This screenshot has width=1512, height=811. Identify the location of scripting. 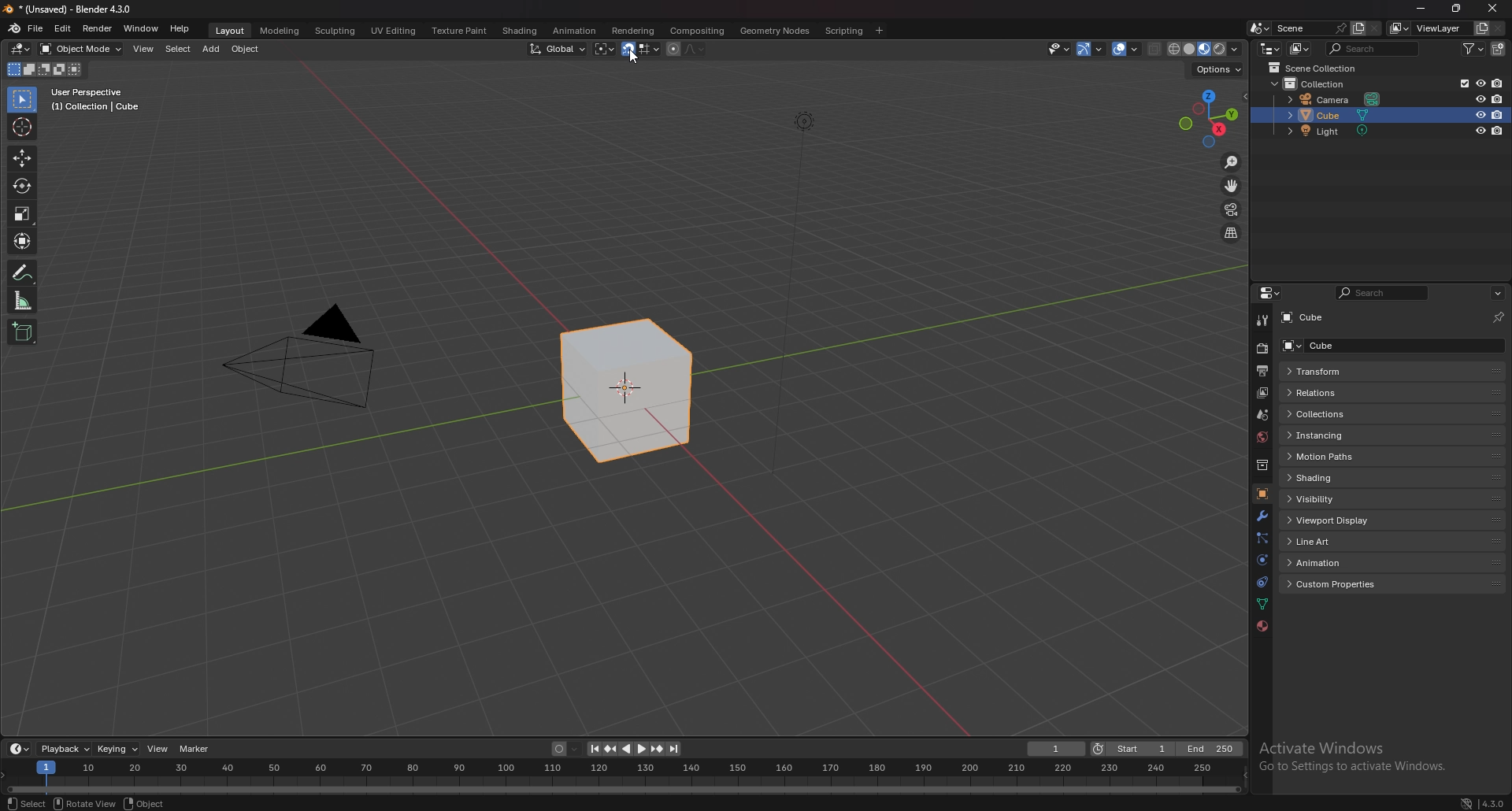
(844, 30).